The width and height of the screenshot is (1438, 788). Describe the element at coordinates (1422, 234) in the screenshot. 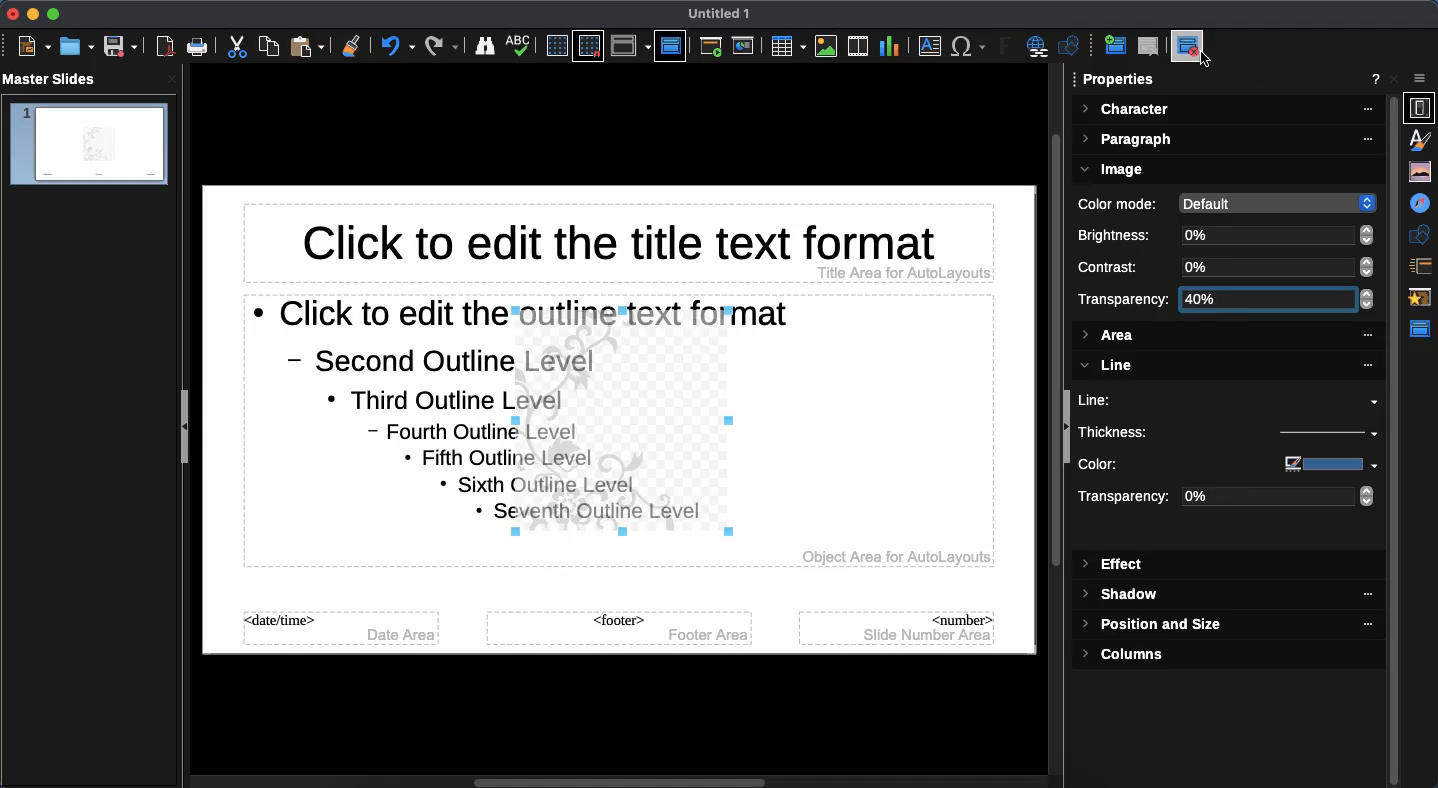

I see `Shapes` at that location.